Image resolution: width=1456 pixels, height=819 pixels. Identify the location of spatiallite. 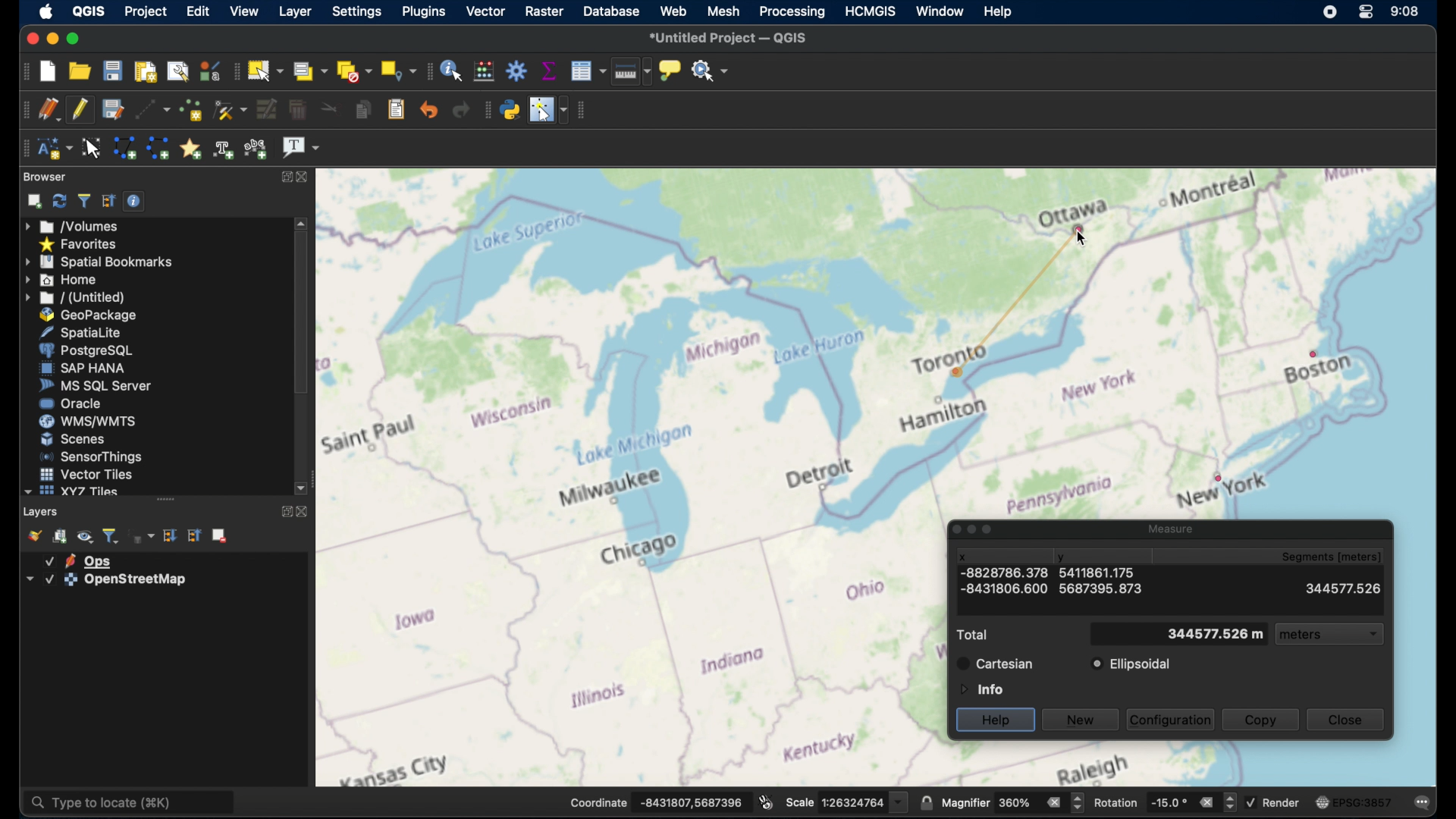
(93, 331).